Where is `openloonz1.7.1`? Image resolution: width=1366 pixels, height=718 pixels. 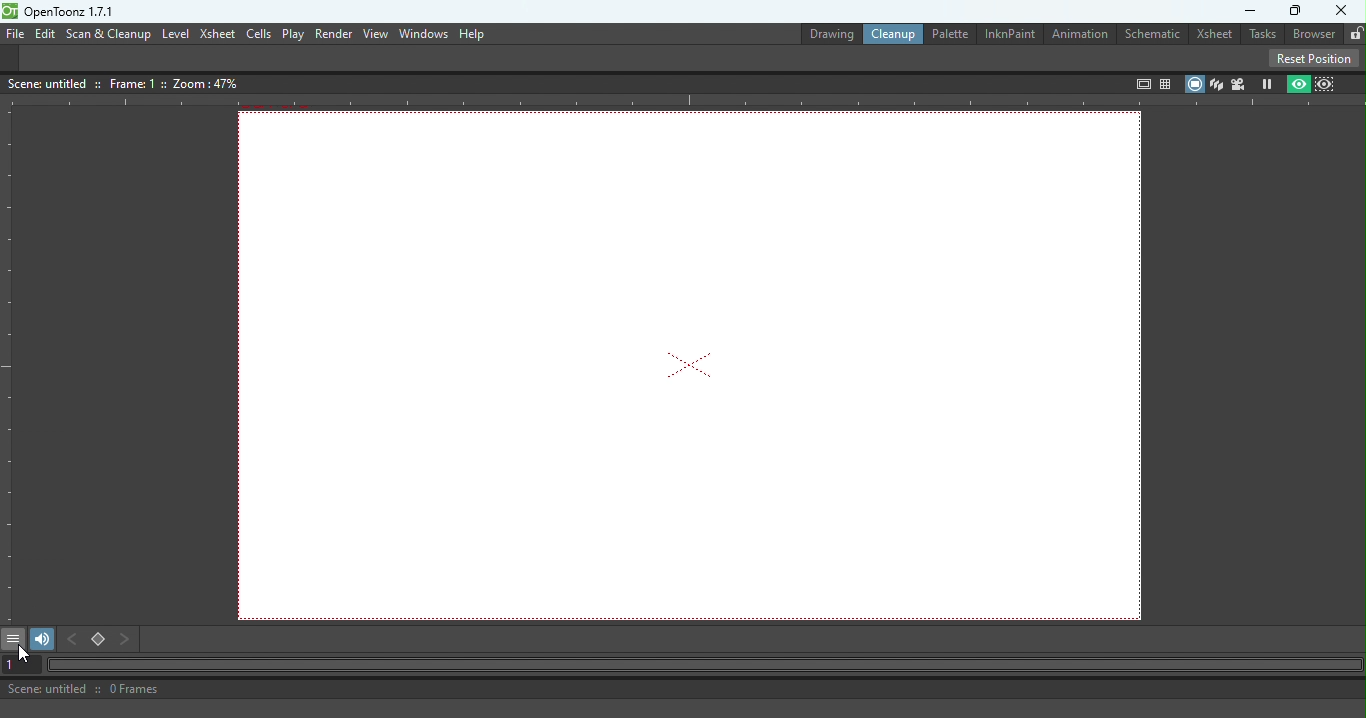 openloonz1.7.1 is located at coordinates (75, 12).